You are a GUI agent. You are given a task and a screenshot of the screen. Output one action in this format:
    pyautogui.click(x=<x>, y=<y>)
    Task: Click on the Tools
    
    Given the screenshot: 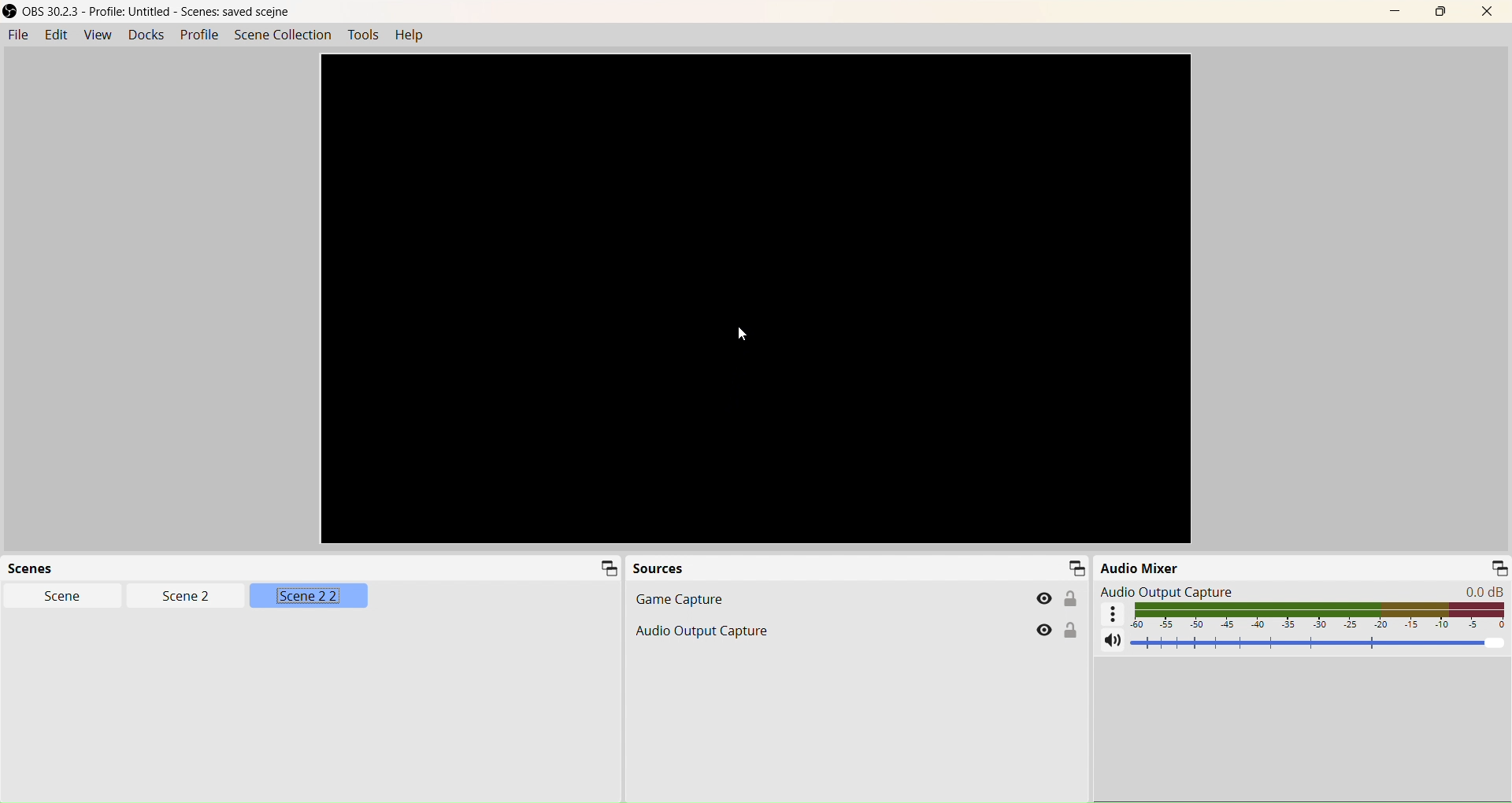 What is the action you would take?
    pyautogui.click(x=363, y=35)
    